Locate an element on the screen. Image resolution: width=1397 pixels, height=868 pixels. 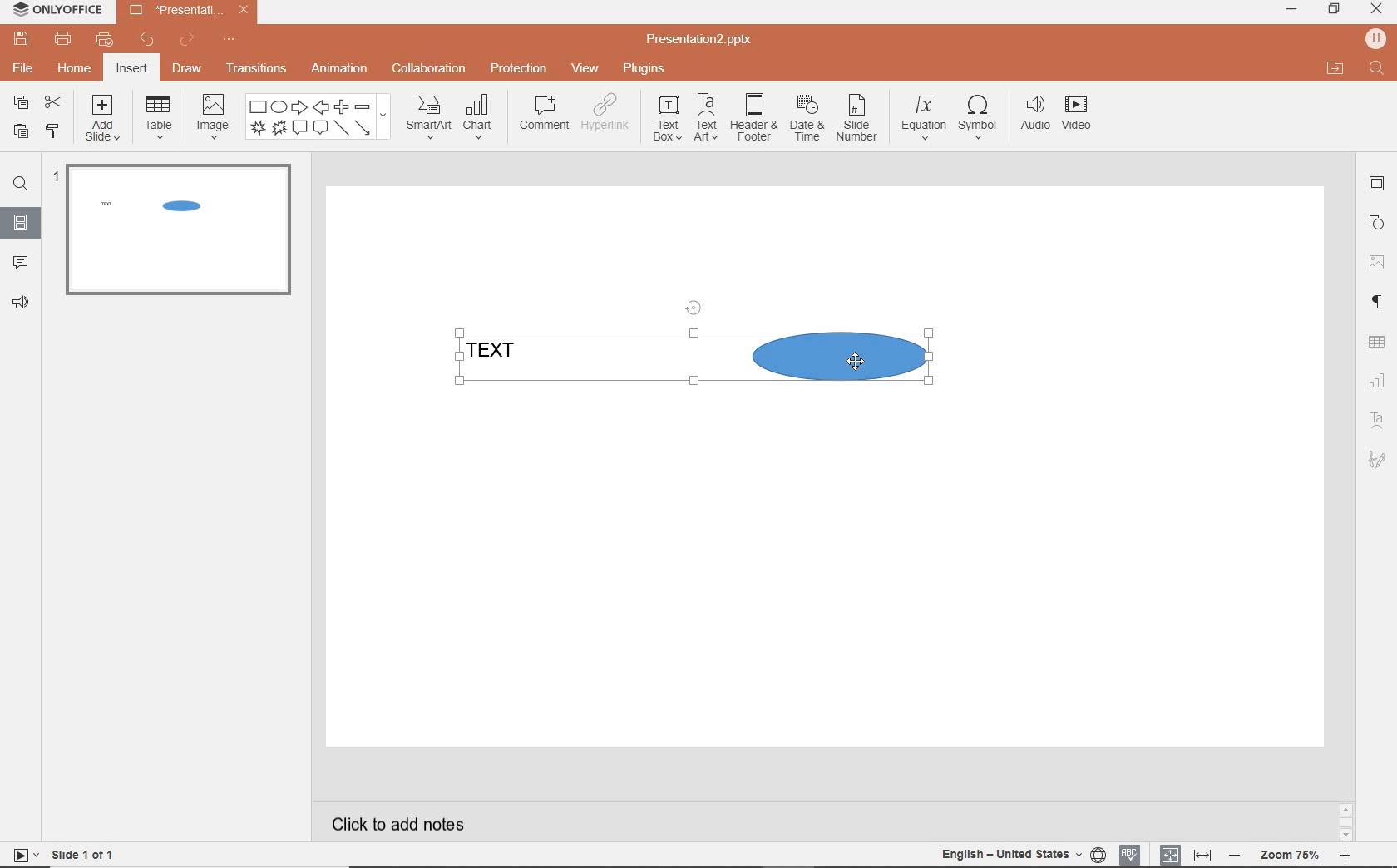
shape is located at coordinates (318, 118).